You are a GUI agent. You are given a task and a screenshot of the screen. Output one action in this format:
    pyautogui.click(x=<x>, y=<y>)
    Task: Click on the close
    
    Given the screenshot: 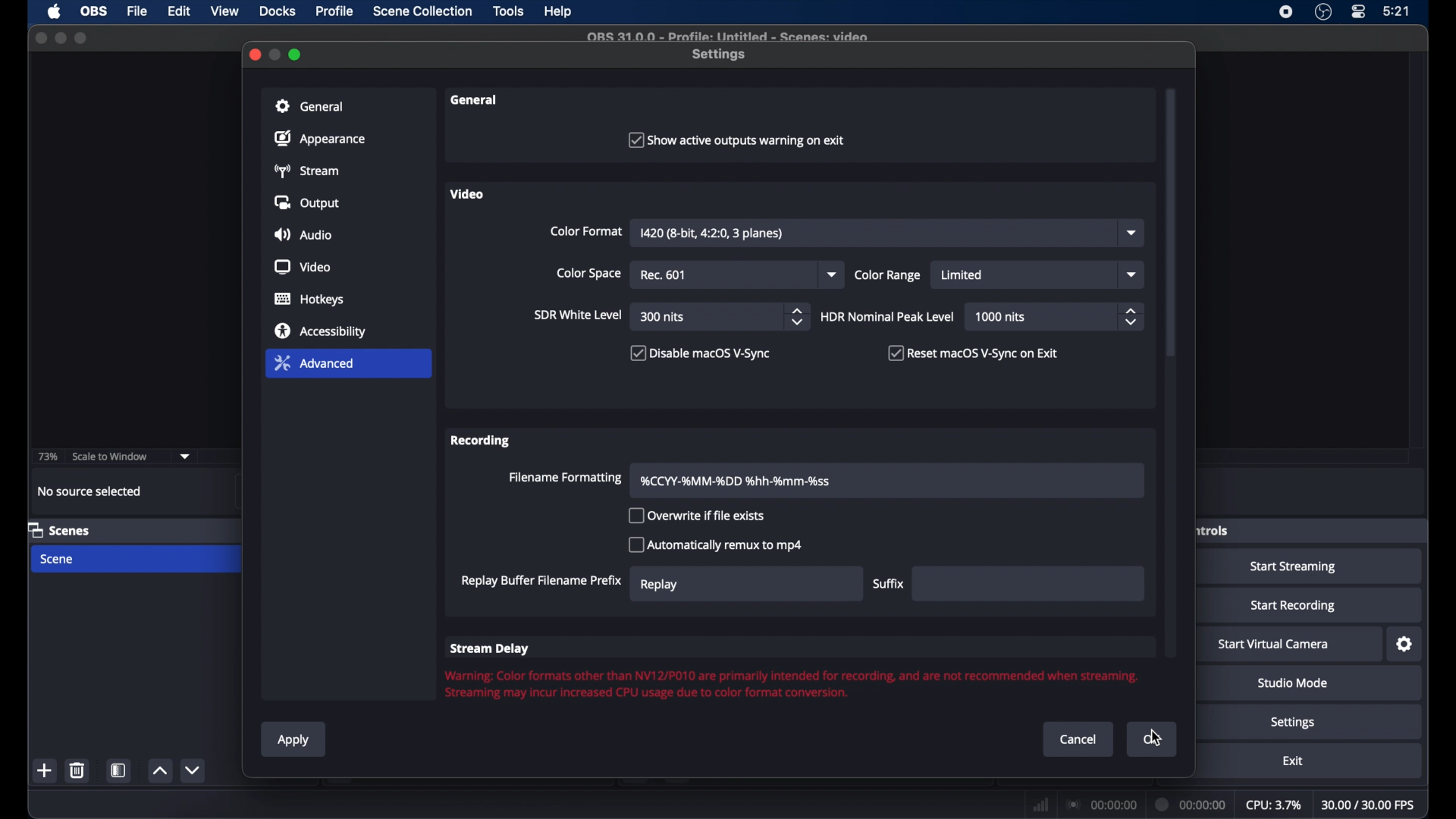 What is the action you would take?
    pyautogui.click(x=41, y=36)
    